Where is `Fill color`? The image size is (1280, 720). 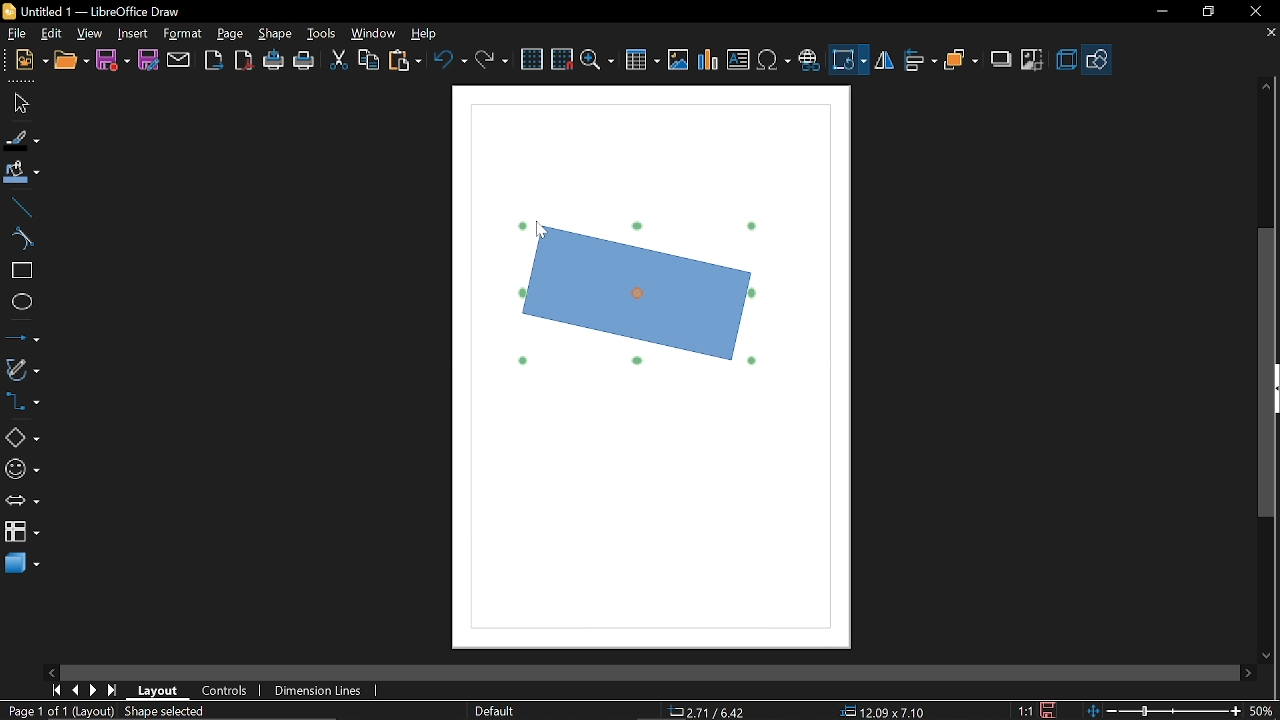
Fill color is located at coordinates (22, 173).